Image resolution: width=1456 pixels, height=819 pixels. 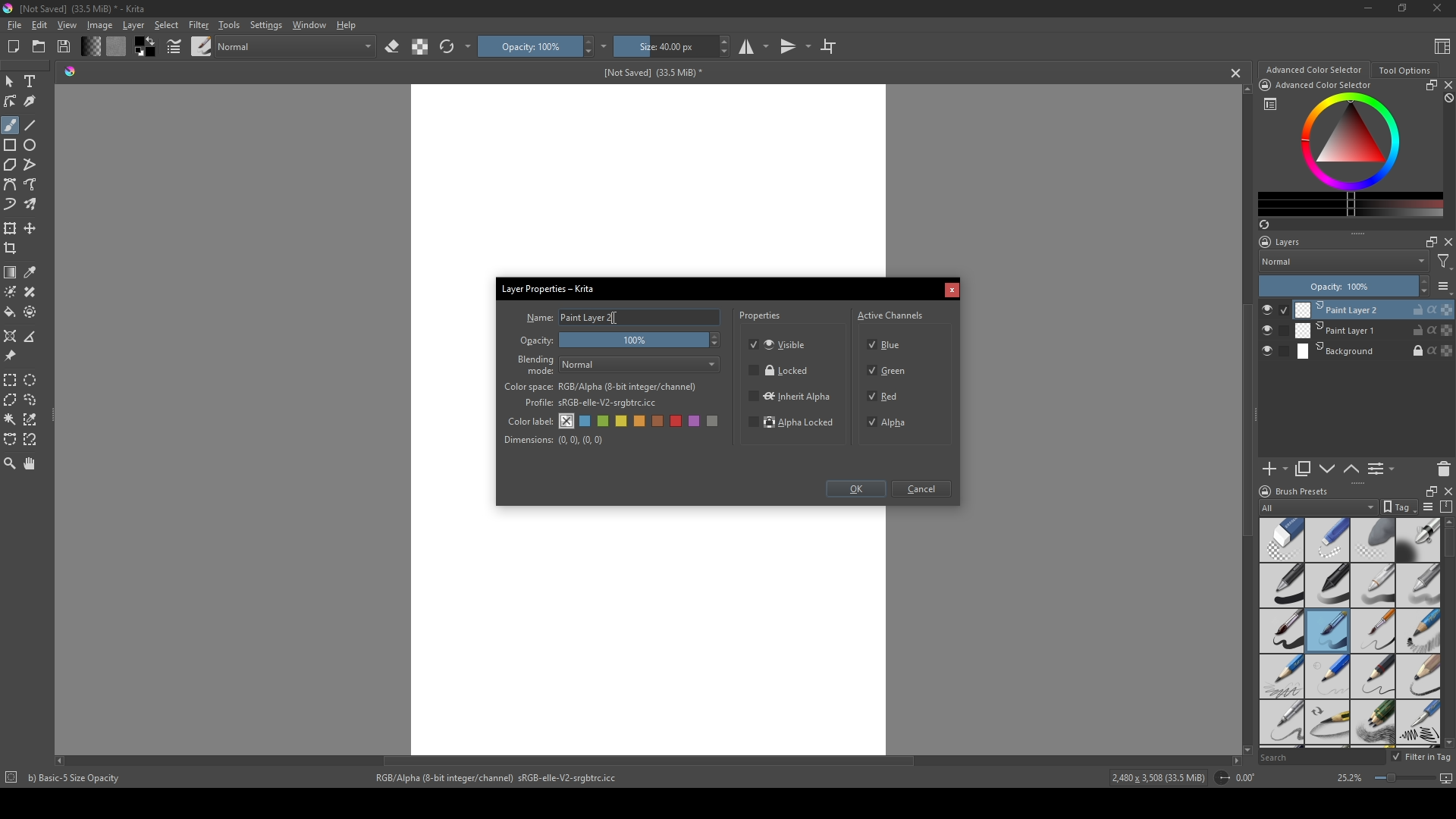 I want to click on size, so click(x=664, y=46).